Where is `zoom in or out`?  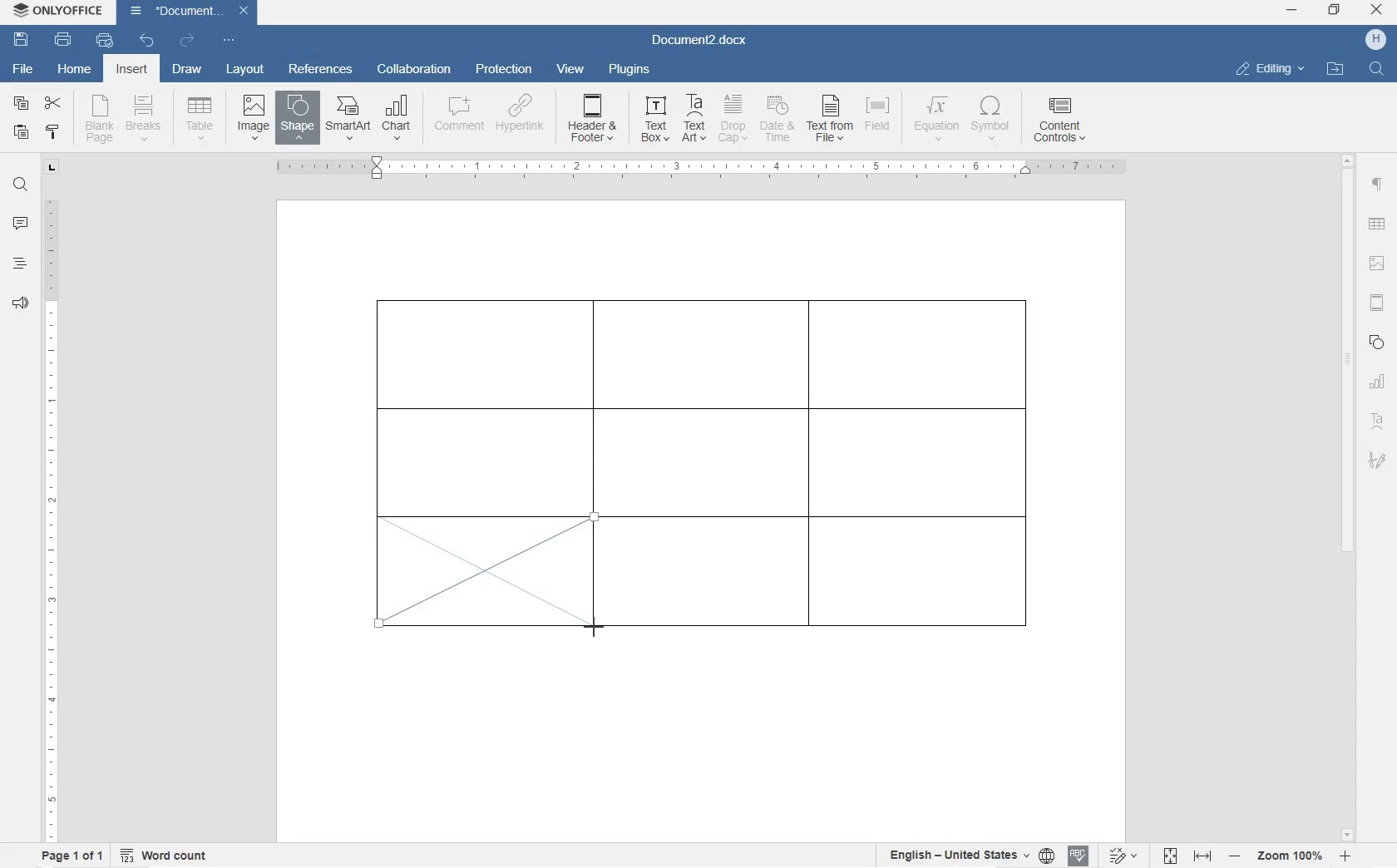
zoom in or out is located at coordinates (1291, 856).